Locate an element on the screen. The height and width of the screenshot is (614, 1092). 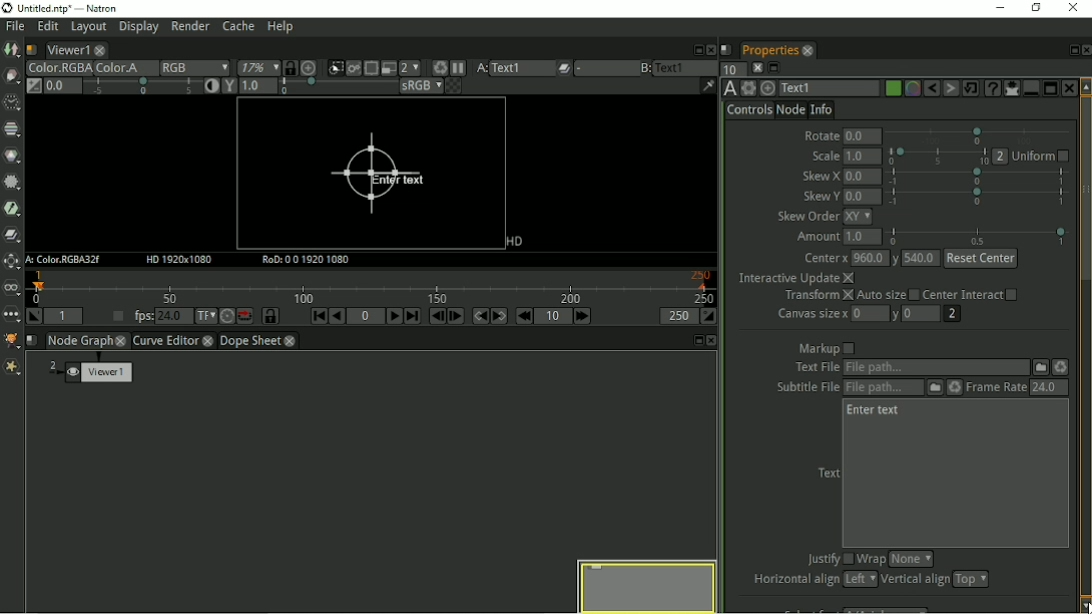
Auto-contrast is located at coordinates (210, 87).